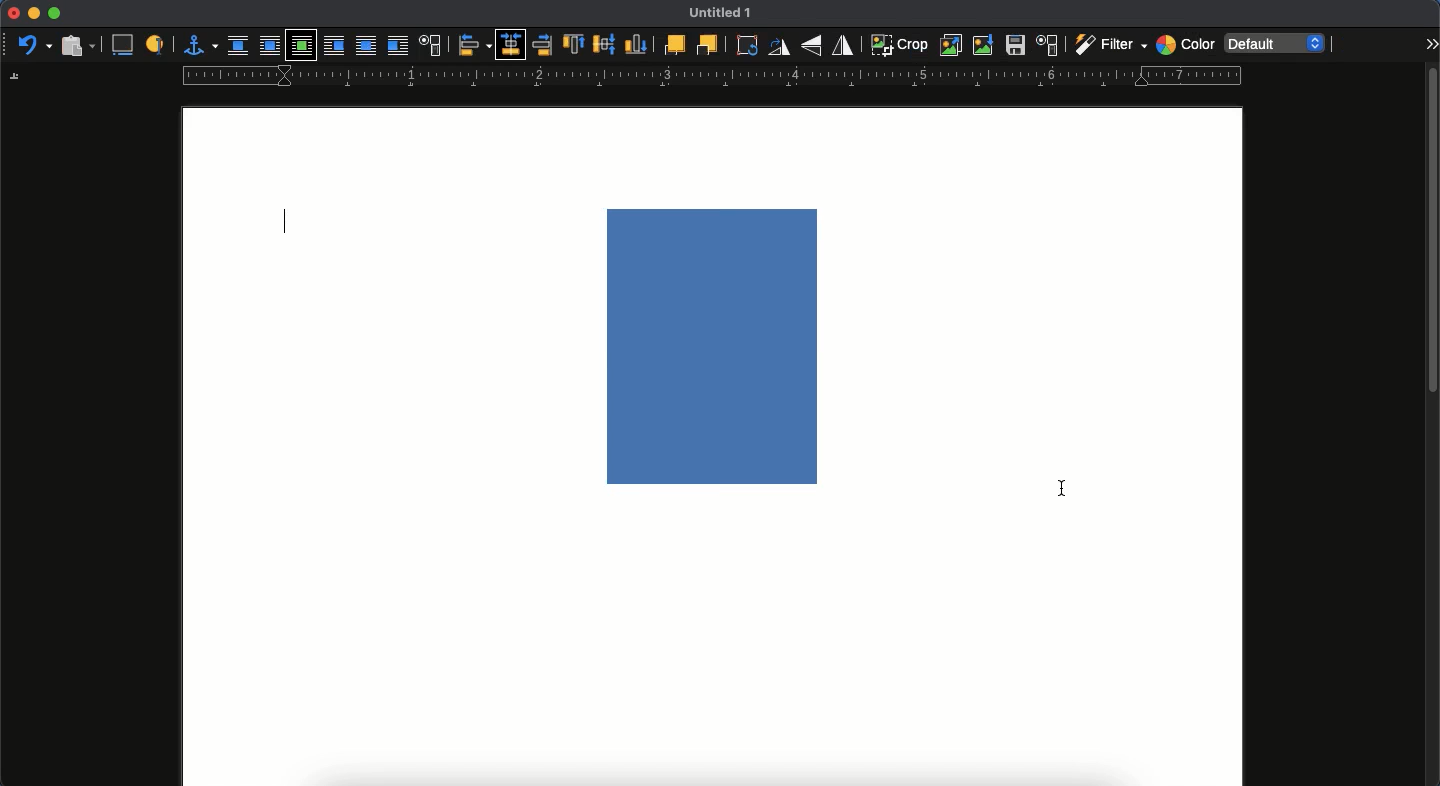  Describe the element at coordinates (510, 46) in the screenshot. I see `centered` at that location.